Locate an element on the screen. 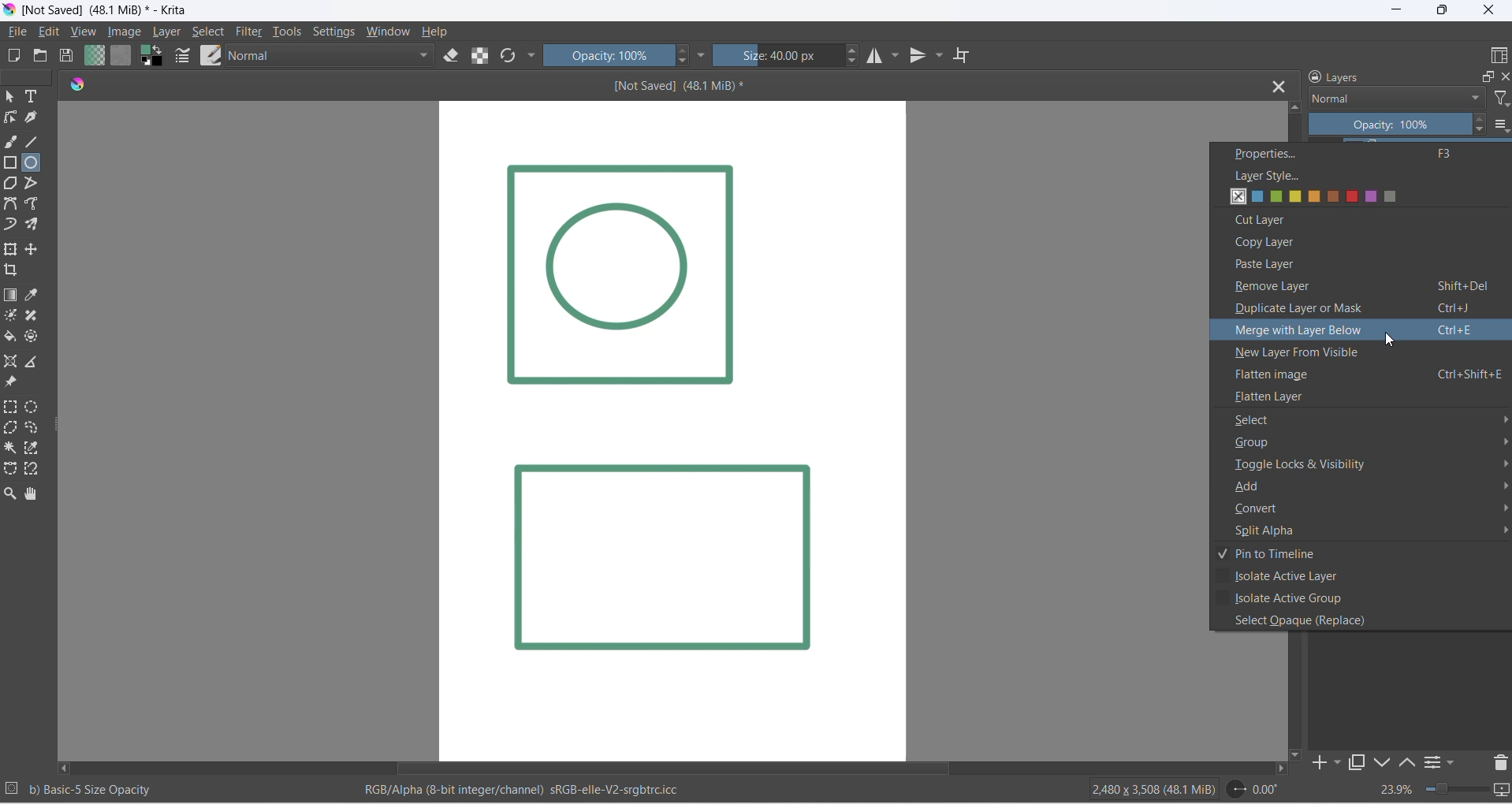  rectangle tool is located at coordinates (10, 163).